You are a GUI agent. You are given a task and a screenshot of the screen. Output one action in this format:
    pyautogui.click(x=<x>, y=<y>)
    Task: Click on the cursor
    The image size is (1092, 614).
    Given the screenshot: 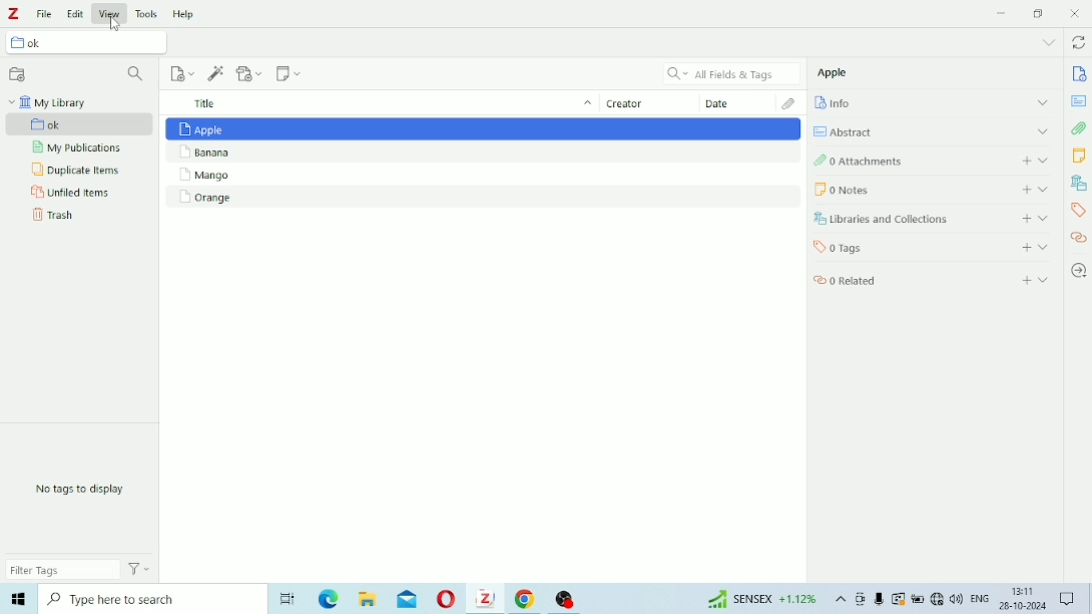 What is the action you would take?
    pyautogui.click(x=115, y=22)
    